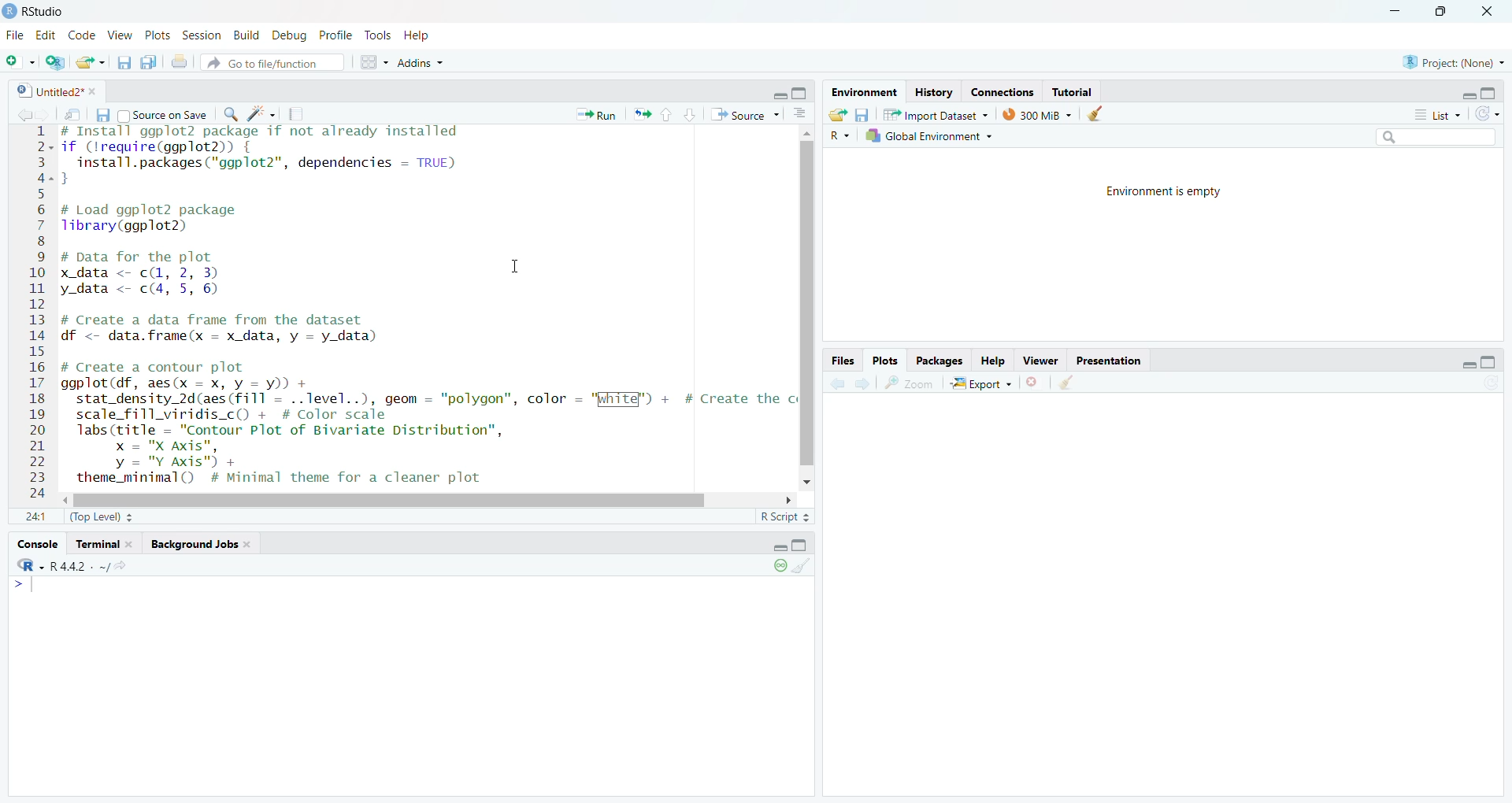  Describe the element at coordinates (981, 383) in the screenshot. I see ` Export +` at that location.